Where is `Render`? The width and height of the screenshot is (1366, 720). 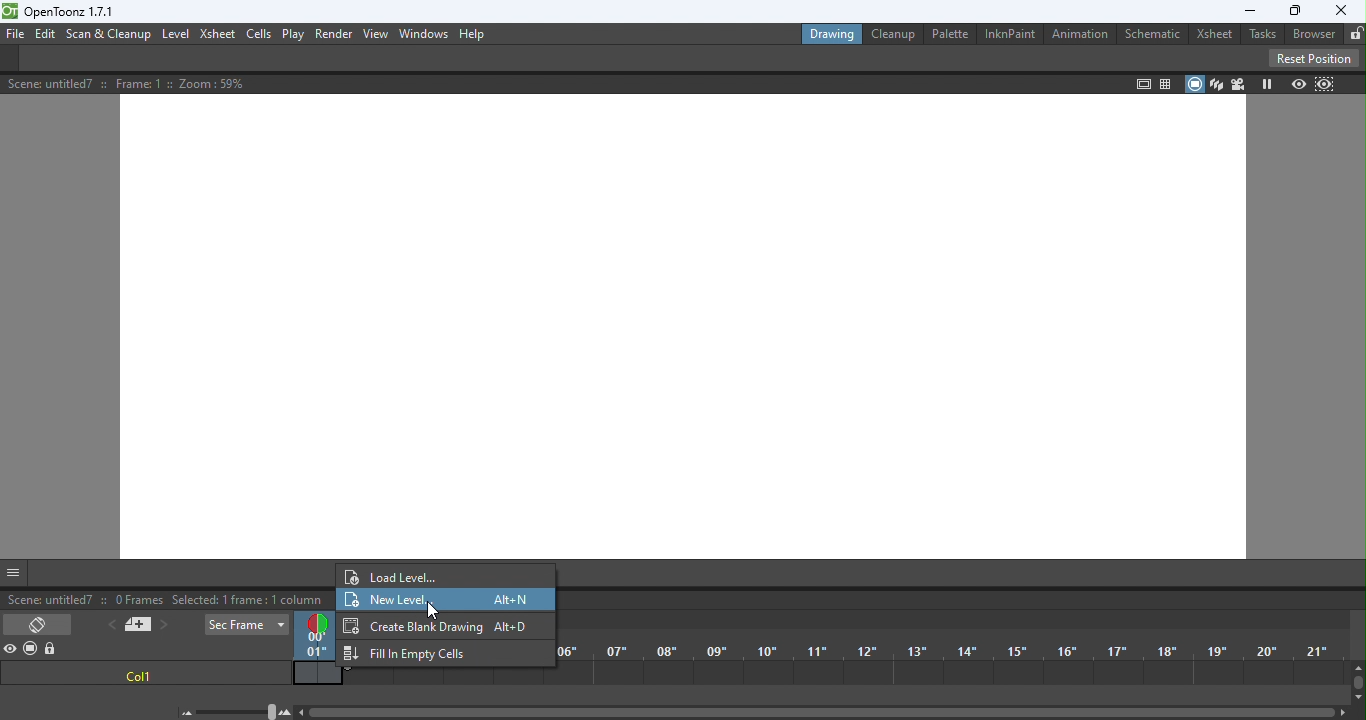
Render is located at coordinates (333, 34).